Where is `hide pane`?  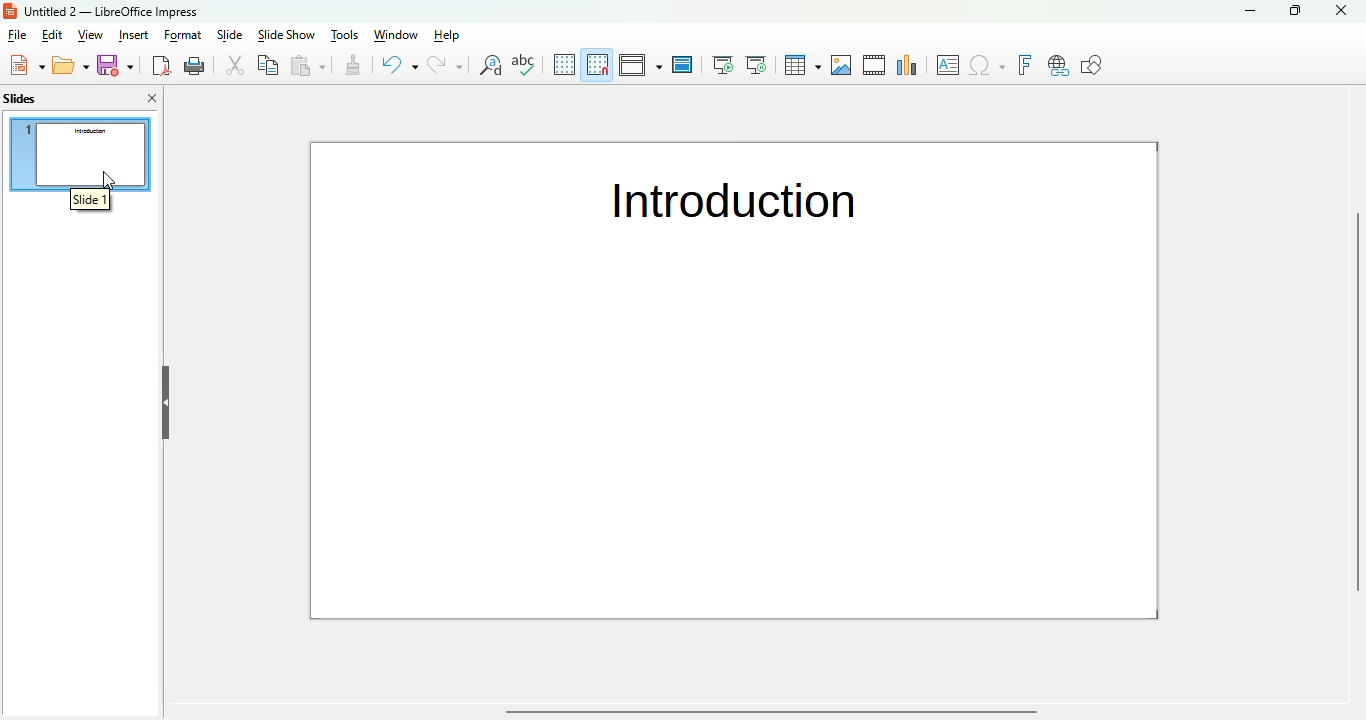 hide pane is located at coordinates (166, 404).